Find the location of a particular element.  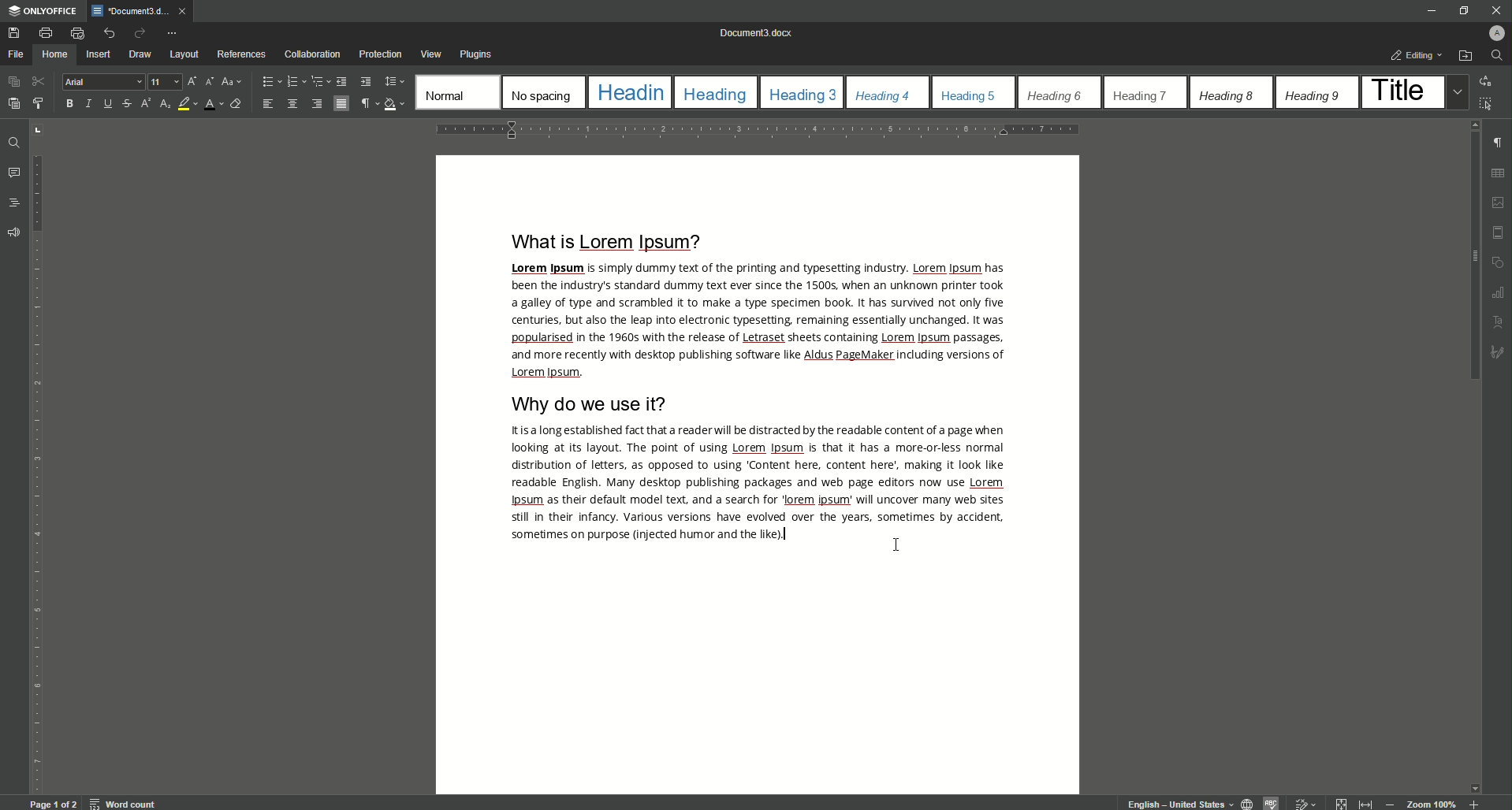

Replace is located at coordinates (1488, 80).